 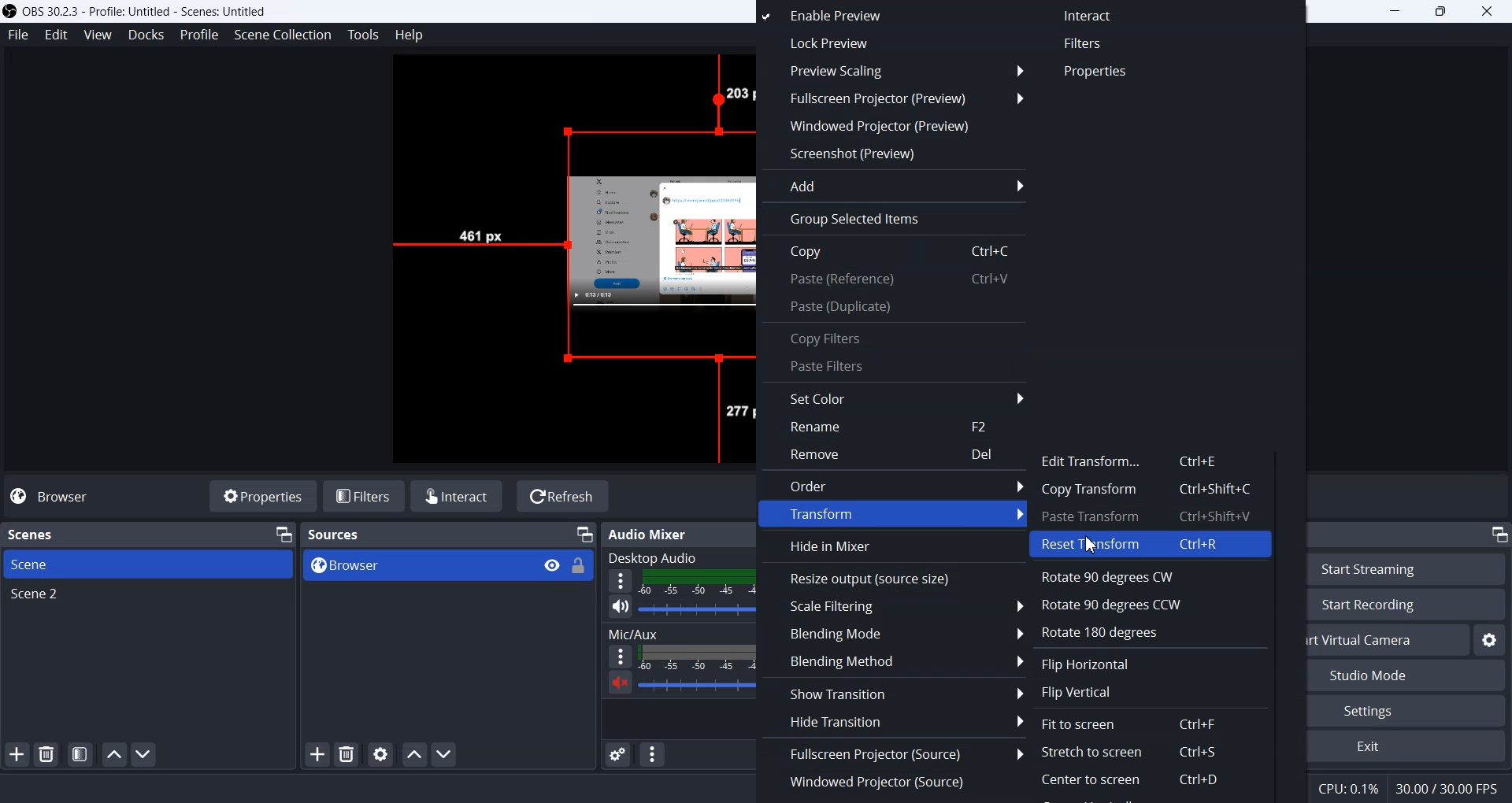 I want to click on Stretch to screen, so click(x=1132, y=754).